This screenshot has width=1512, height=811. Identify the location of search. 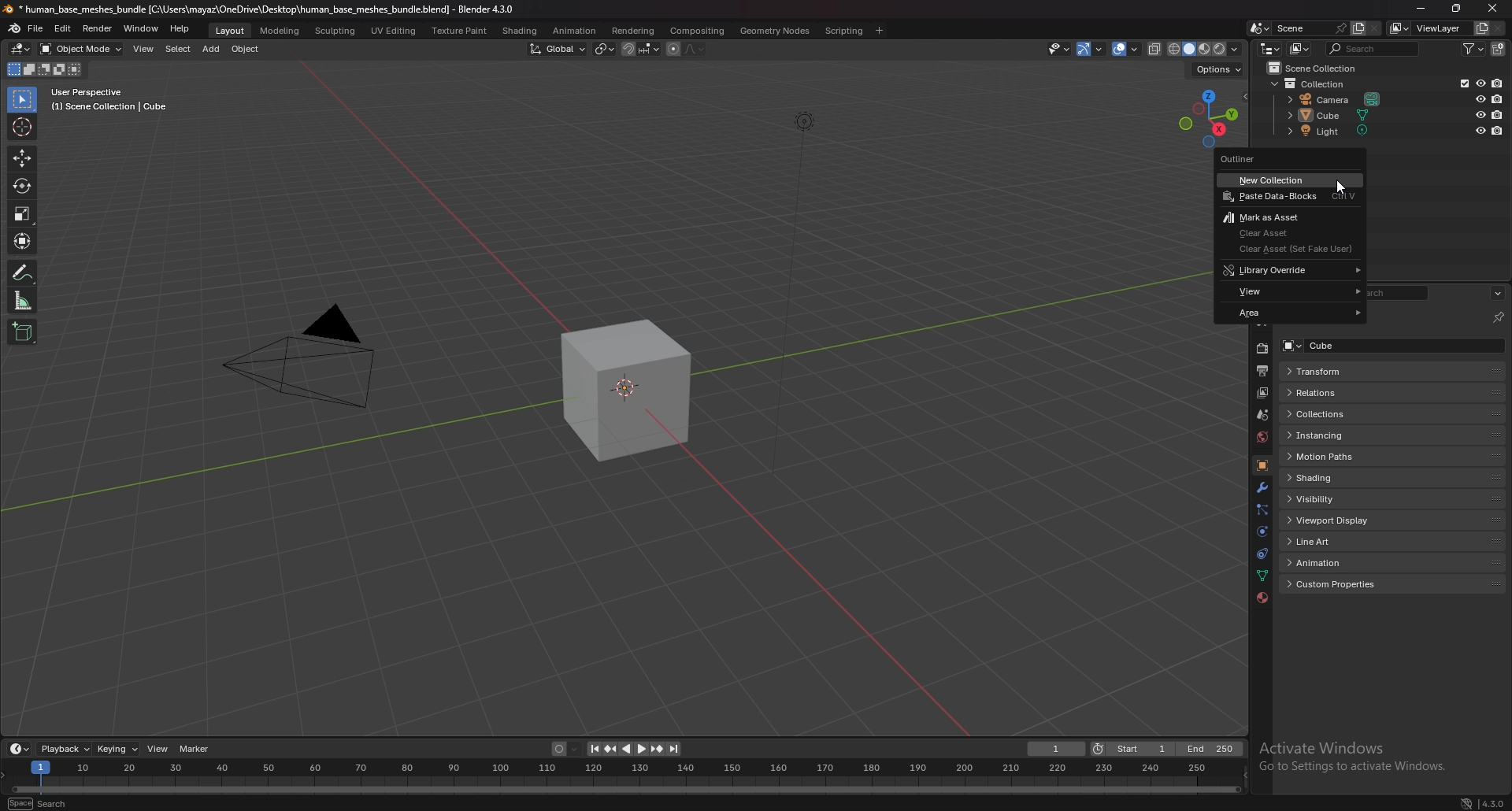
(1399, 294).